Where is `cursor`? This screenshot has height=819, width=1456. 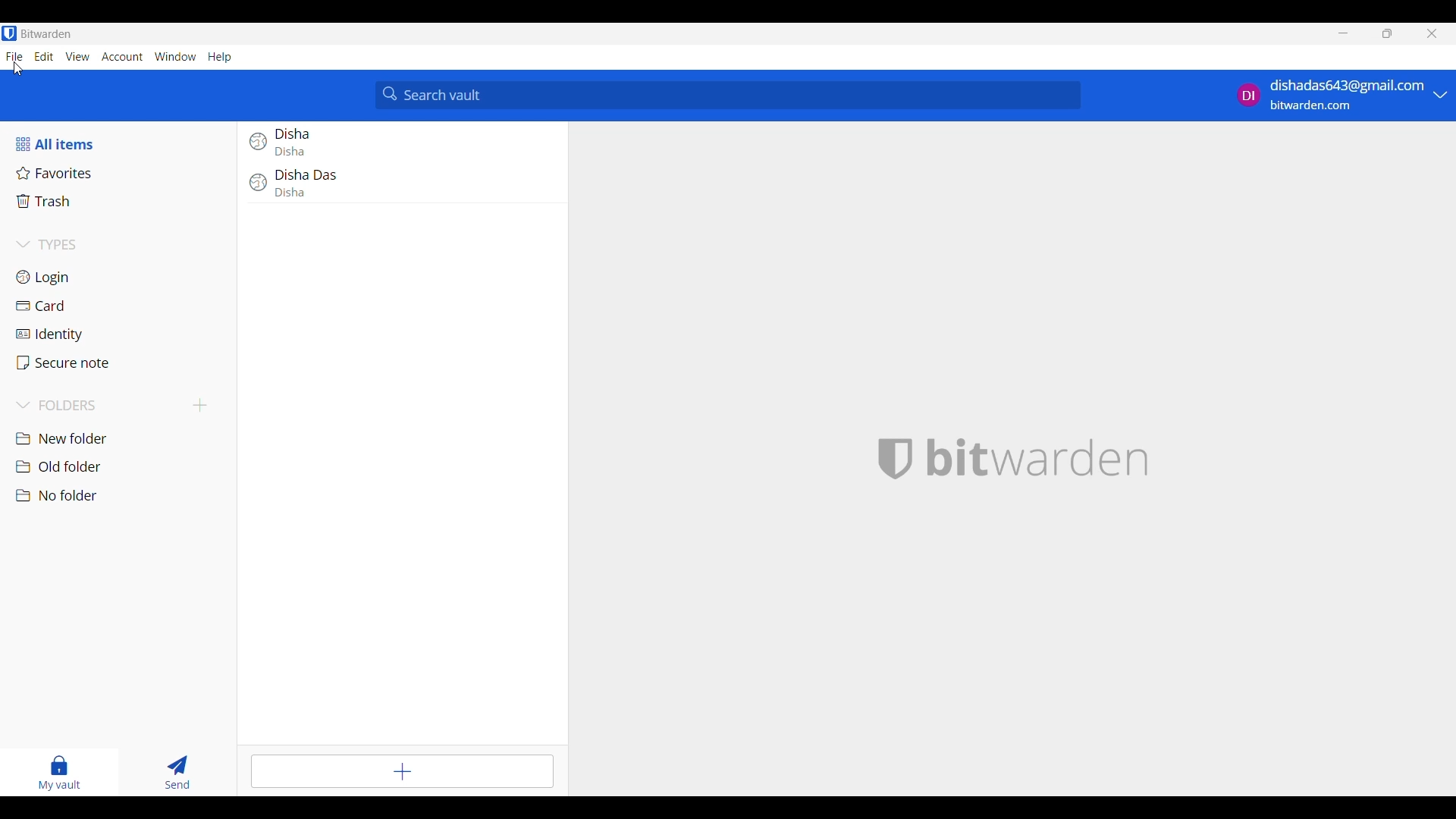
cursor is located at coordinates (17, 67).